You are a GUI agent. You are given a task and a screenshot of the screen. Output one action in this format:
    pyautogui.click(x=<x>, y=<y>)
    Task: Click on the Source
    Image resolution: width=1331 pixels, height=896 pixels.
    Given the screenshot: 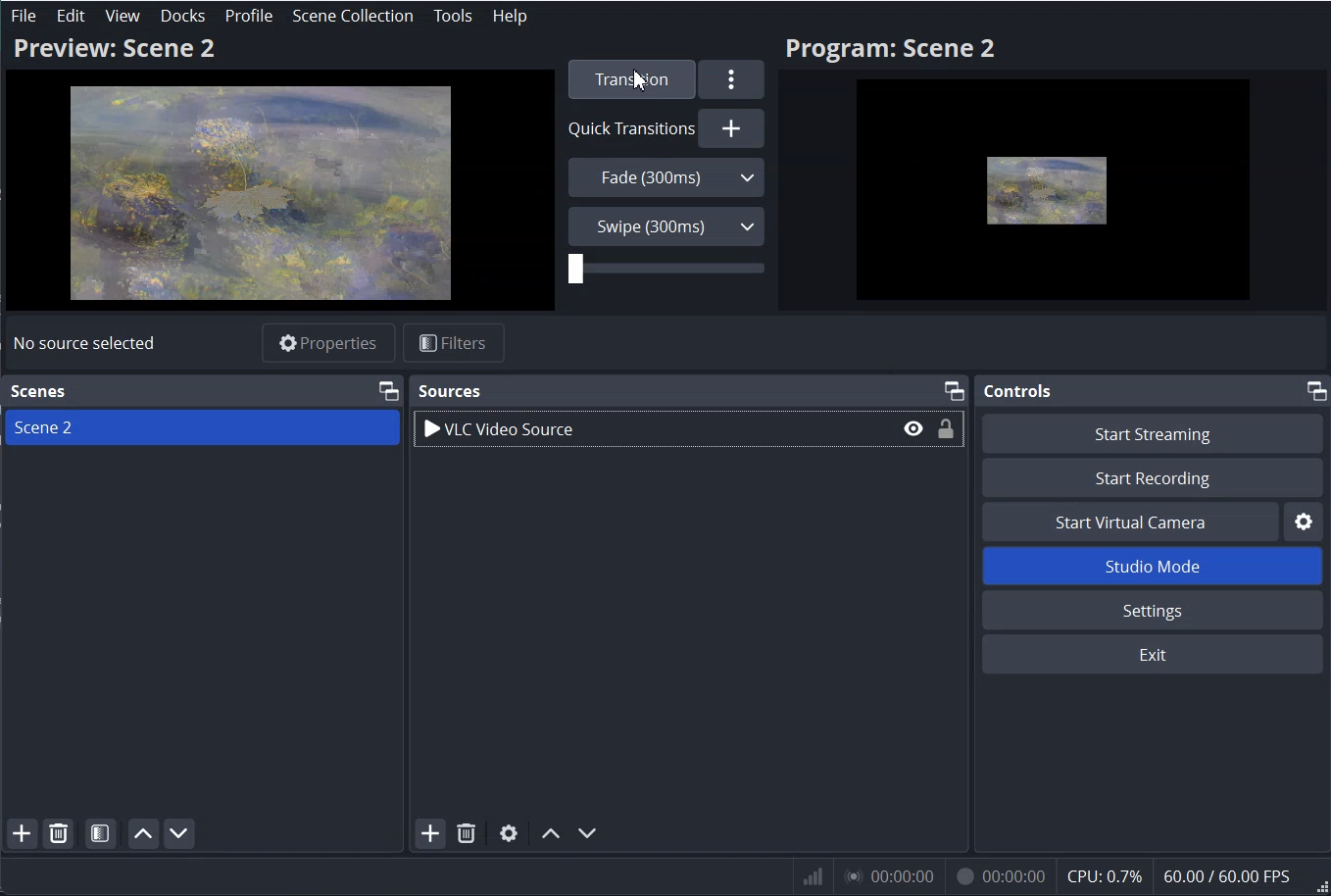 What is the action you would take?
    pyautogui.click(x=449, y=390)
    